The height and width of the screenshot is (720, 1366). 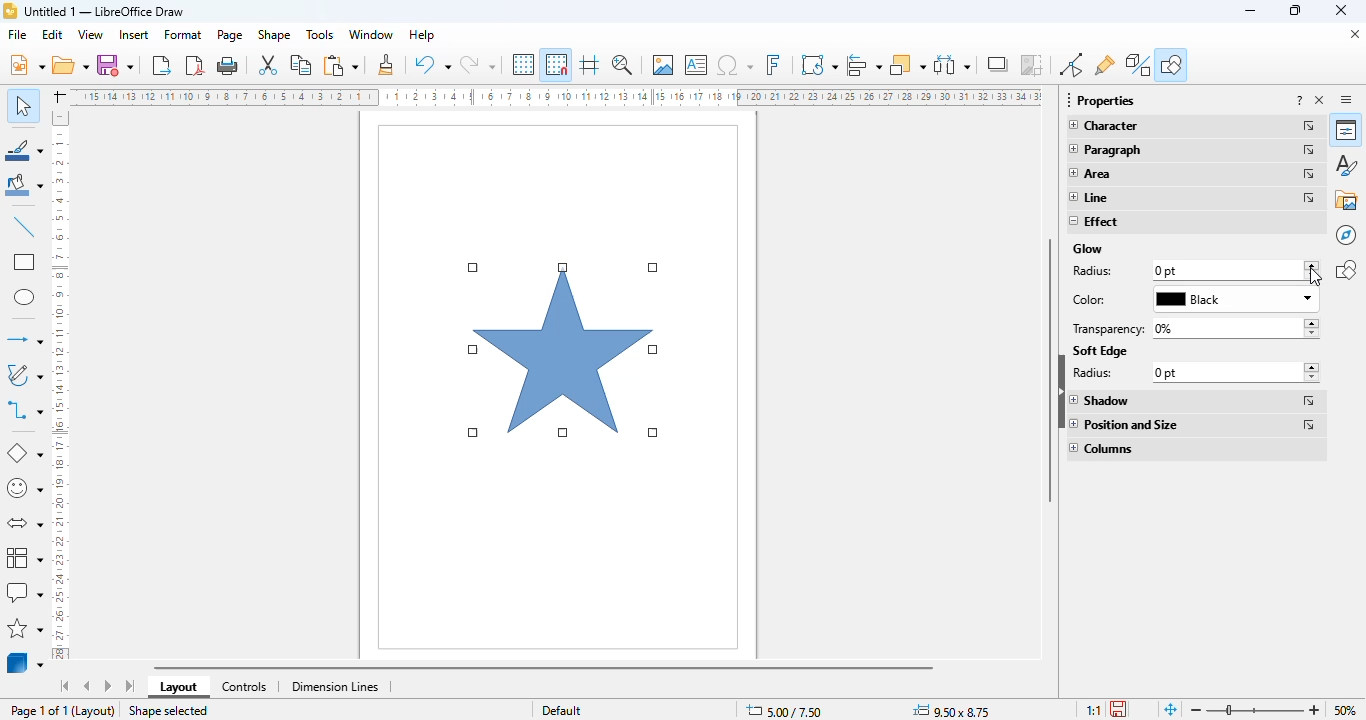 I want to click on page 1 of 1, so click(x=39, y=710).